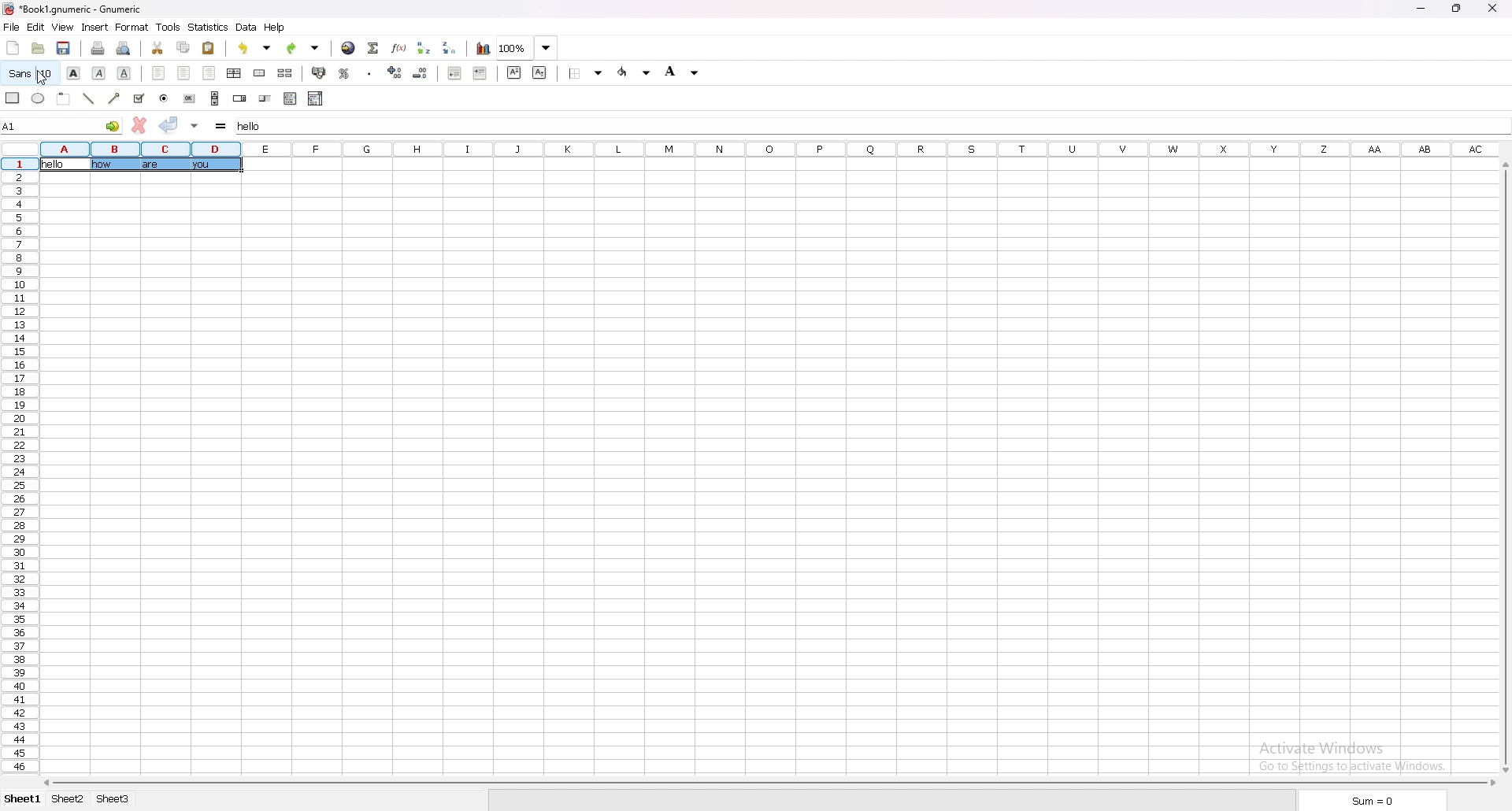 This screenshot has width=1512, height=811. Describe the element at coordinates (169, 124) in the screenshot. I see `accept changes` at that location.